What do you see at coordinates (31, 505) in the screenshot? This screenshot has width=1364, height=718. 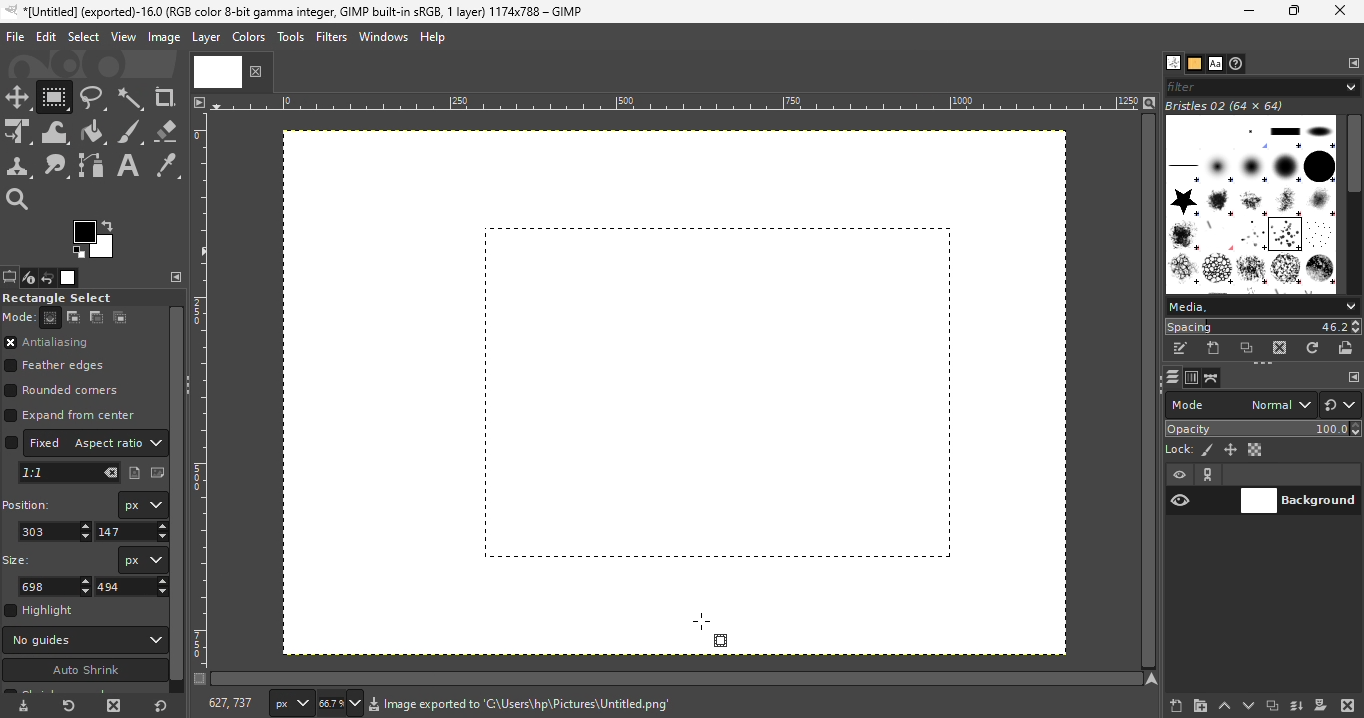 I see `Position:` at bounding box center [31, 505].